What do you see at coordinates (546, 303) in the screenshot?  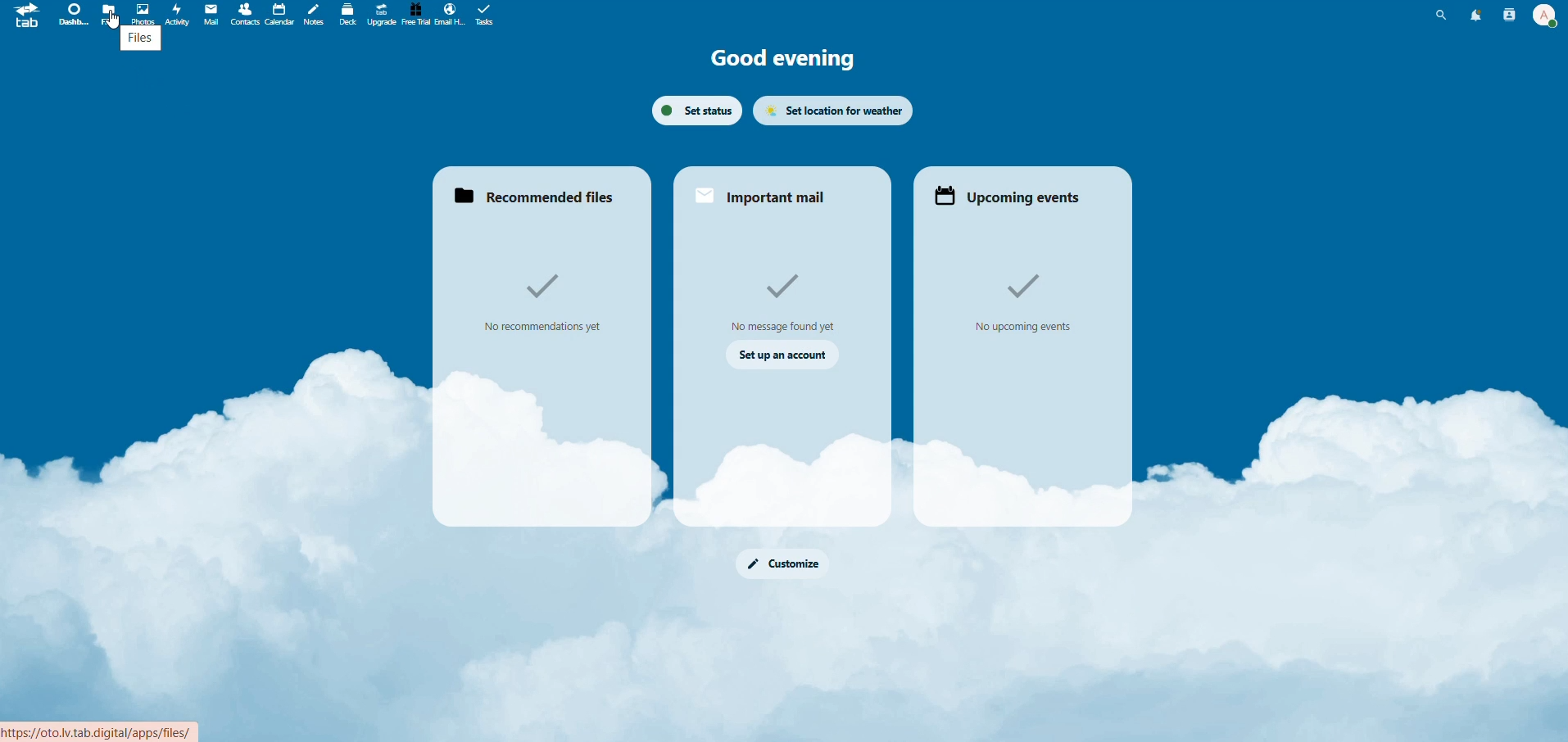 I see `Text` at bounding box center [546, 303].